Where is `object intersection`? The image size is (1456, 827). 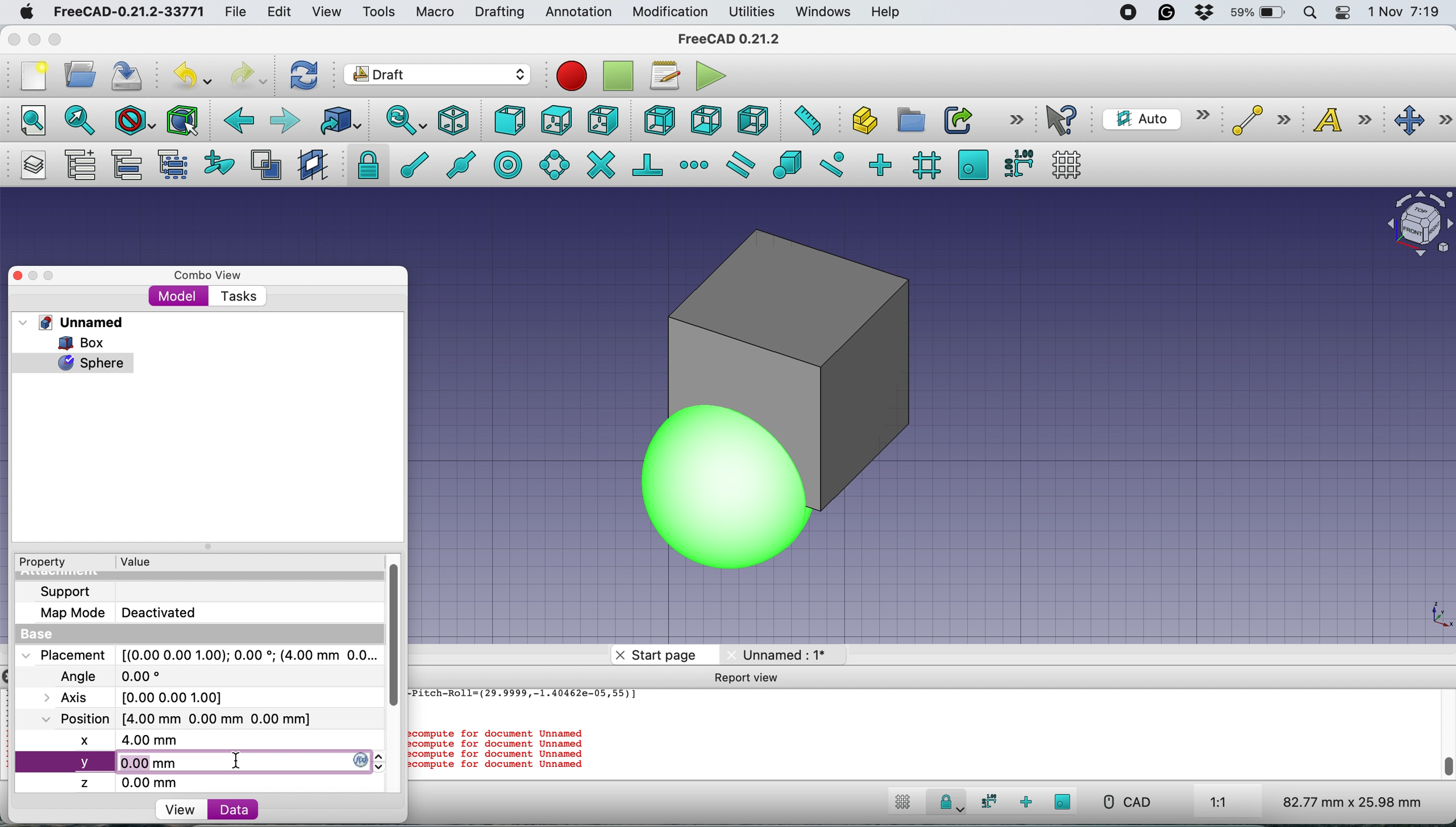 object intersection is located at coordinates (1418, 222).